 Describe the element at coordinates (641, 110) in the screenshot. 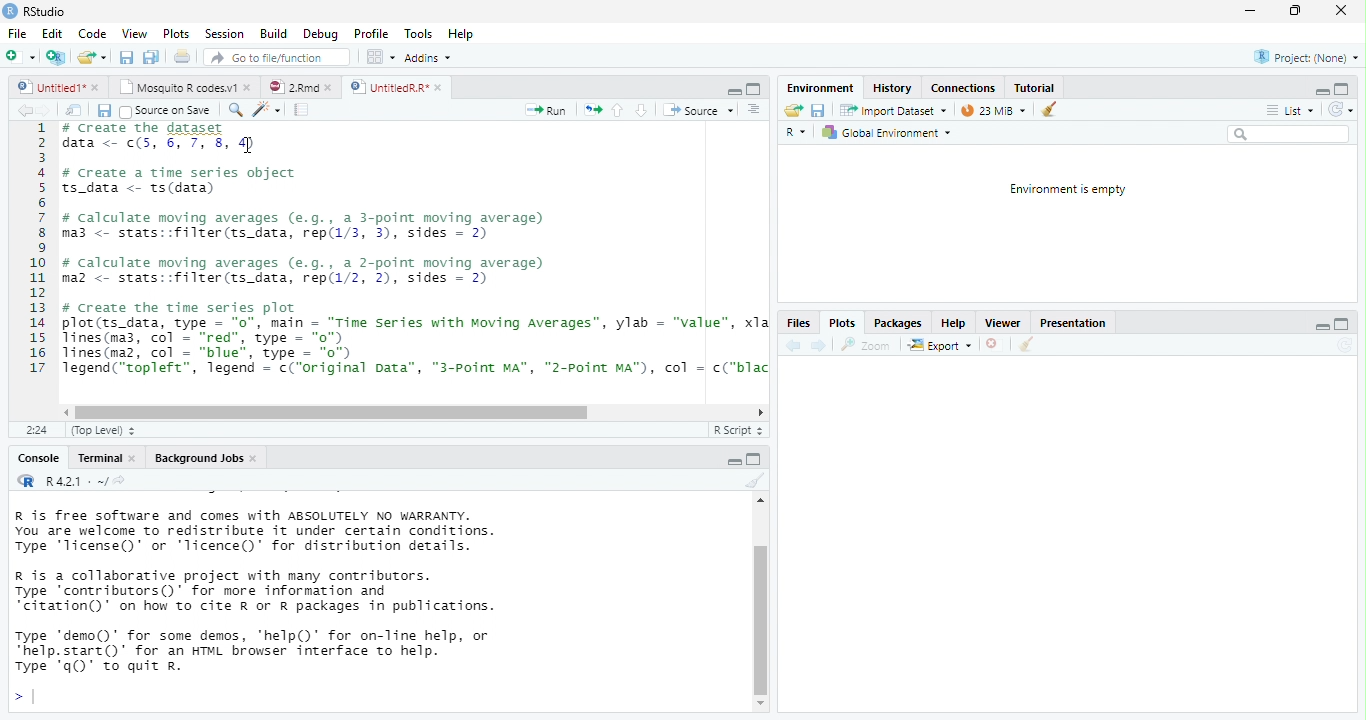

I see `down` at that location.